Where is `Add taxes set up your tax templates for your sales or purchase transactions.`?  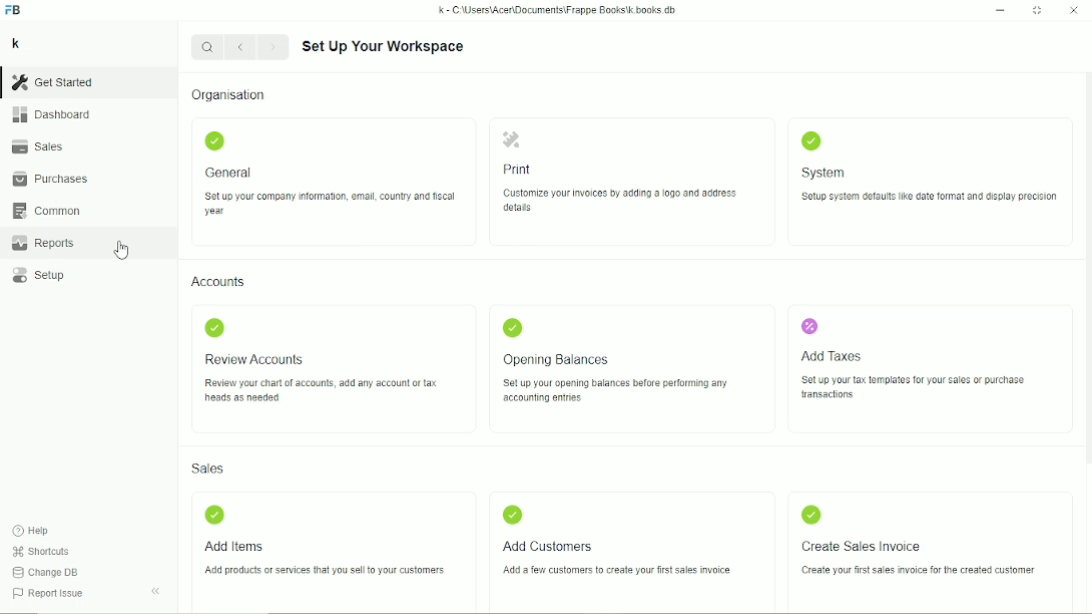
Add taxes set up your tax templates for your sales or purchase transactions. is located at coordinates (910, 357).